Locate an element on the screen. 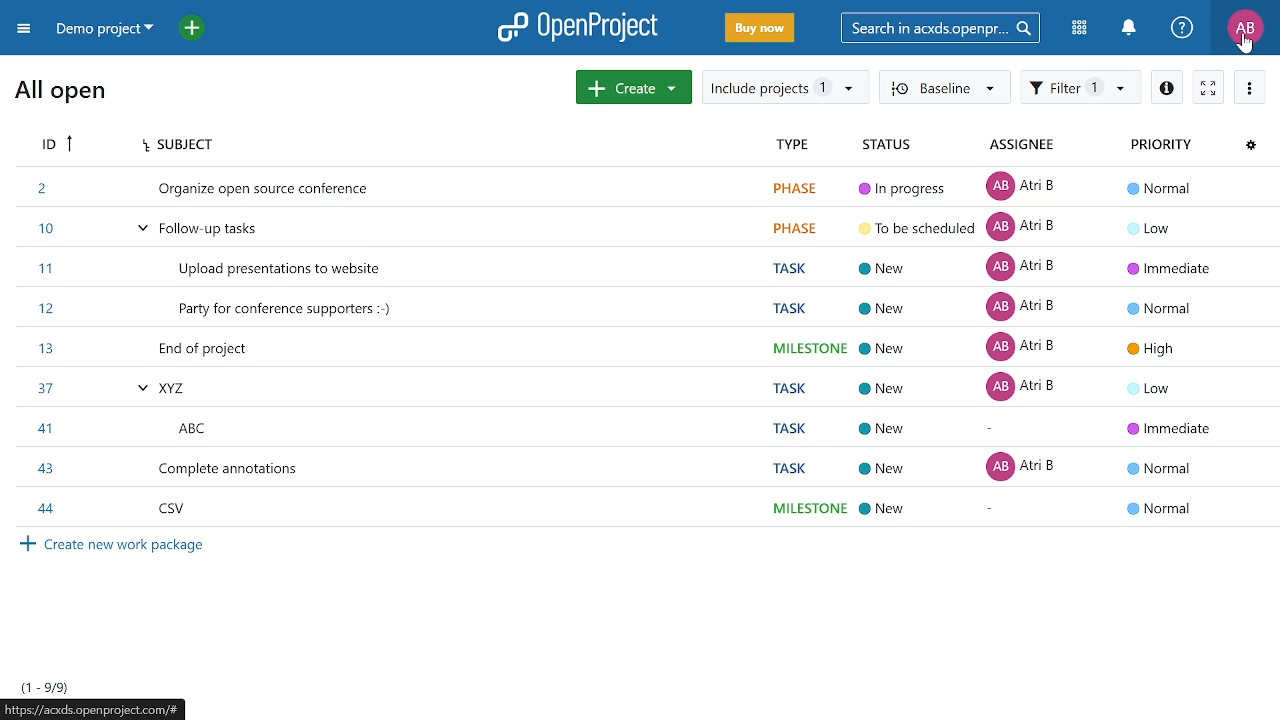  Help is located at coordinates (1183, 29).